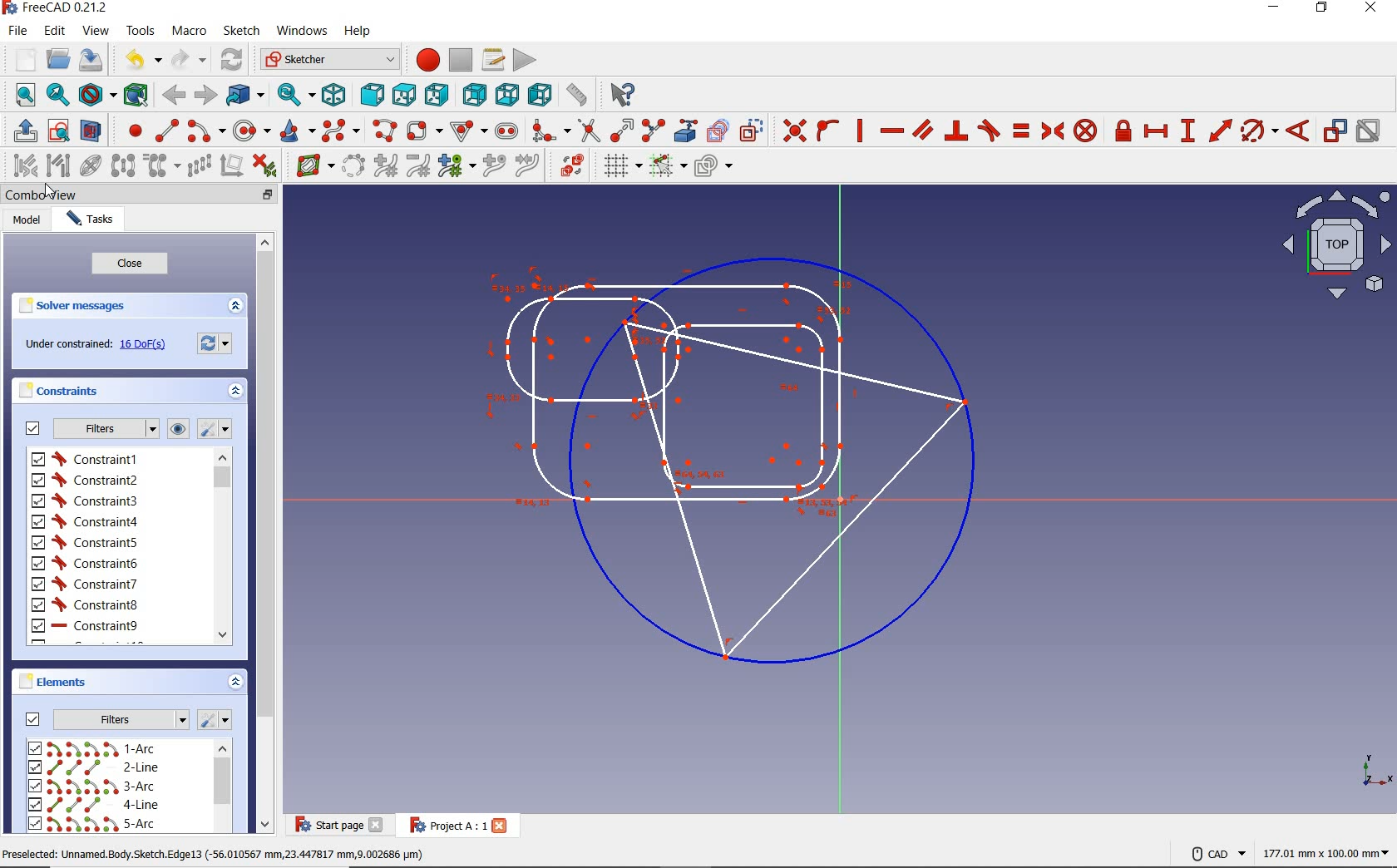  Describe the element at coordinates (435, 94) in the screenshot. I see `right` at that location.